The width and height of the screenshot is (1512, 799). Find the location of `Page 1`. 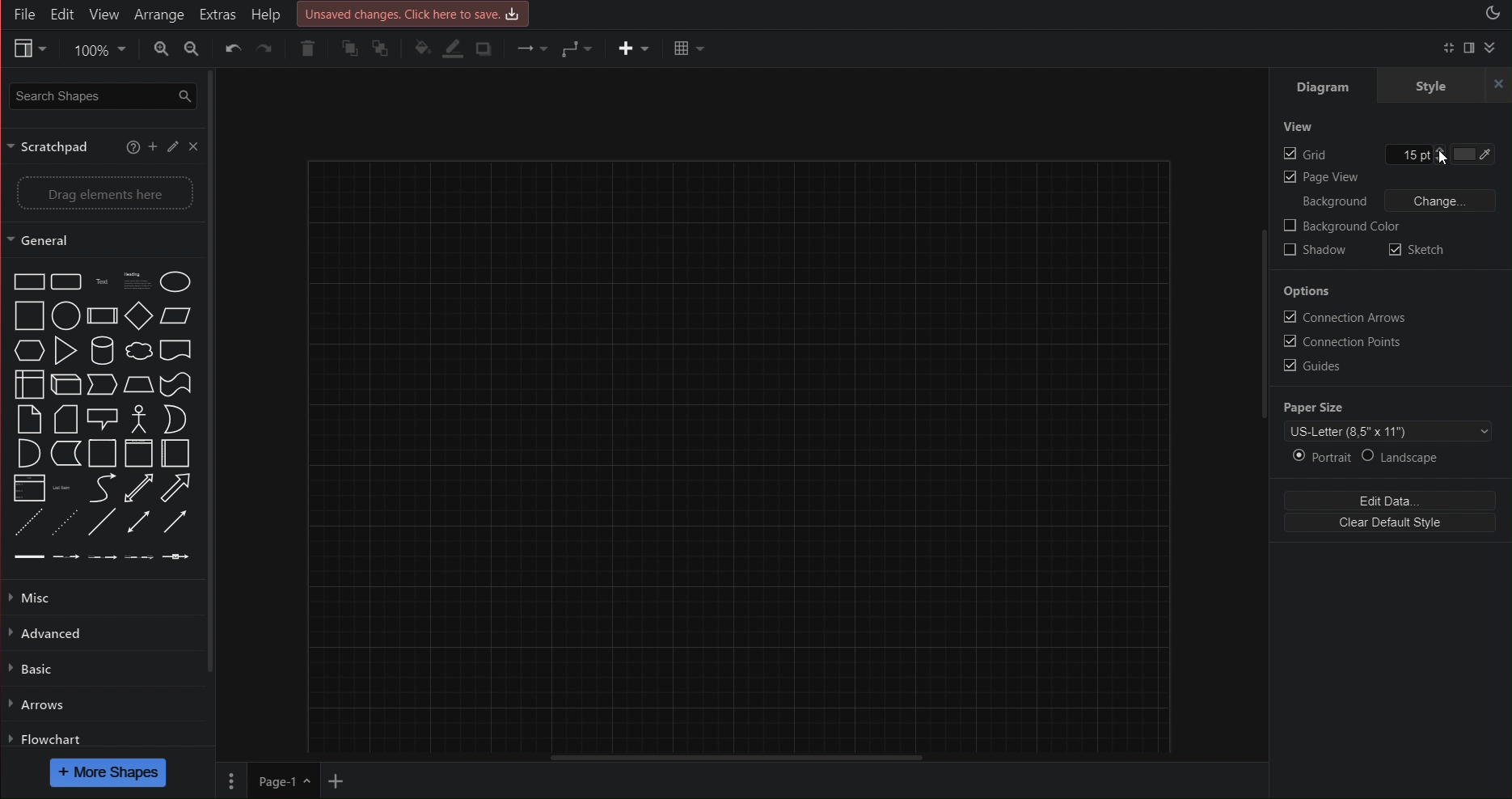

Page 1 is located at coordinates (280, 780).